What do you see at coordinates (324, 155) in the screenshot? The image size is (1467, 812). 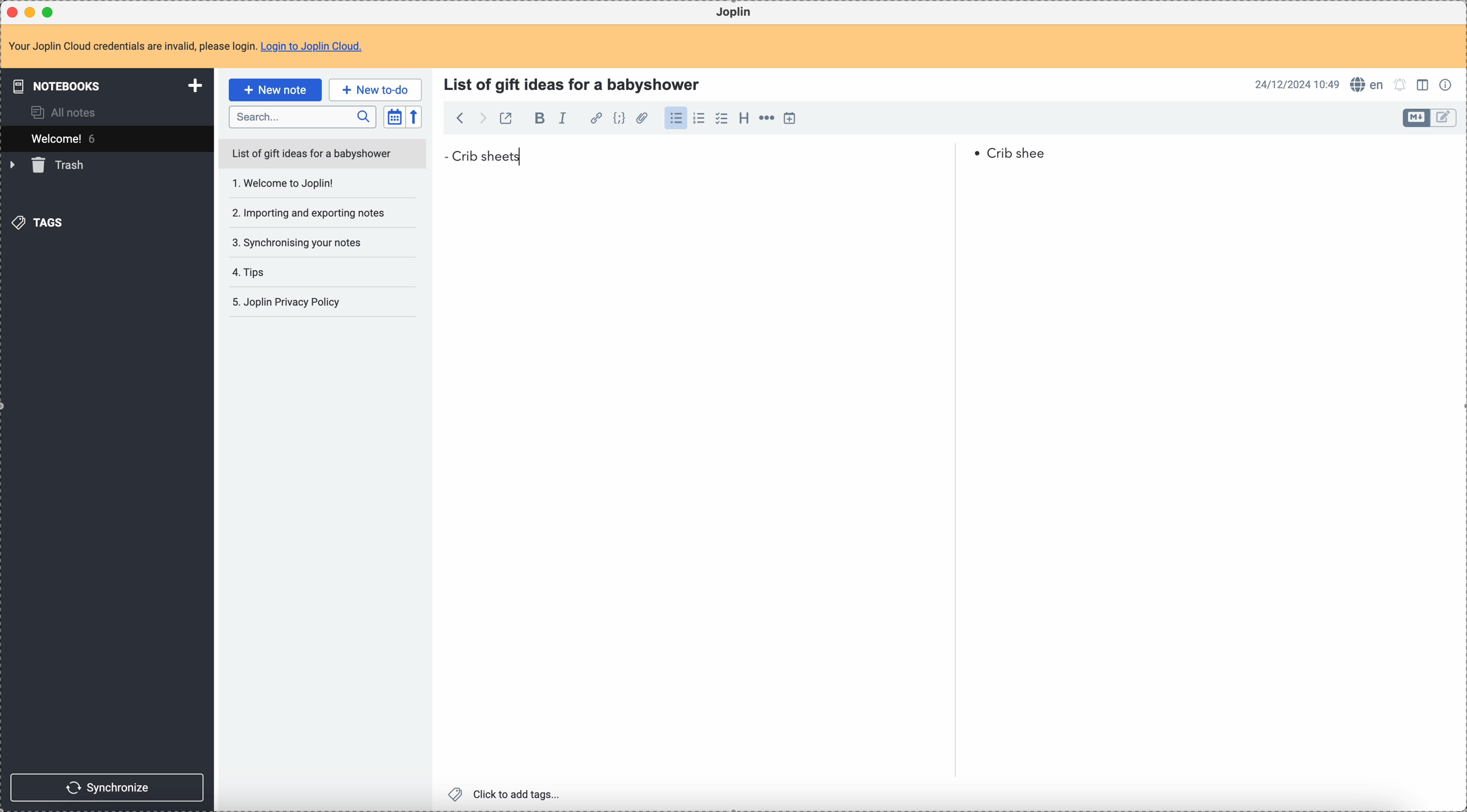 I see `list of gift ideas for a babyshower` at bounding box center [324, 155].